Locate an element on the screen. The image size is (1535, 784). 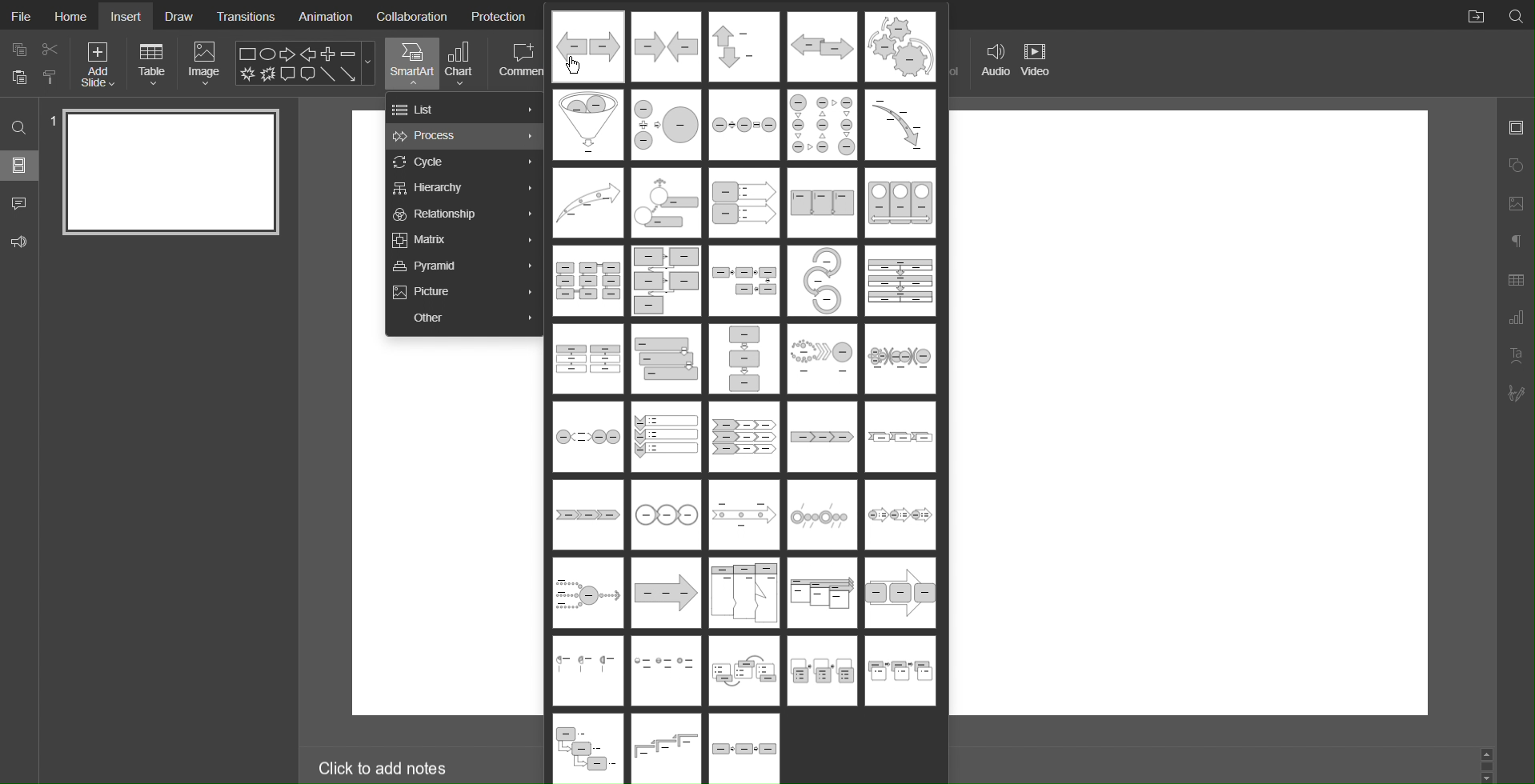
Slides is located at coordinates (20, 167).